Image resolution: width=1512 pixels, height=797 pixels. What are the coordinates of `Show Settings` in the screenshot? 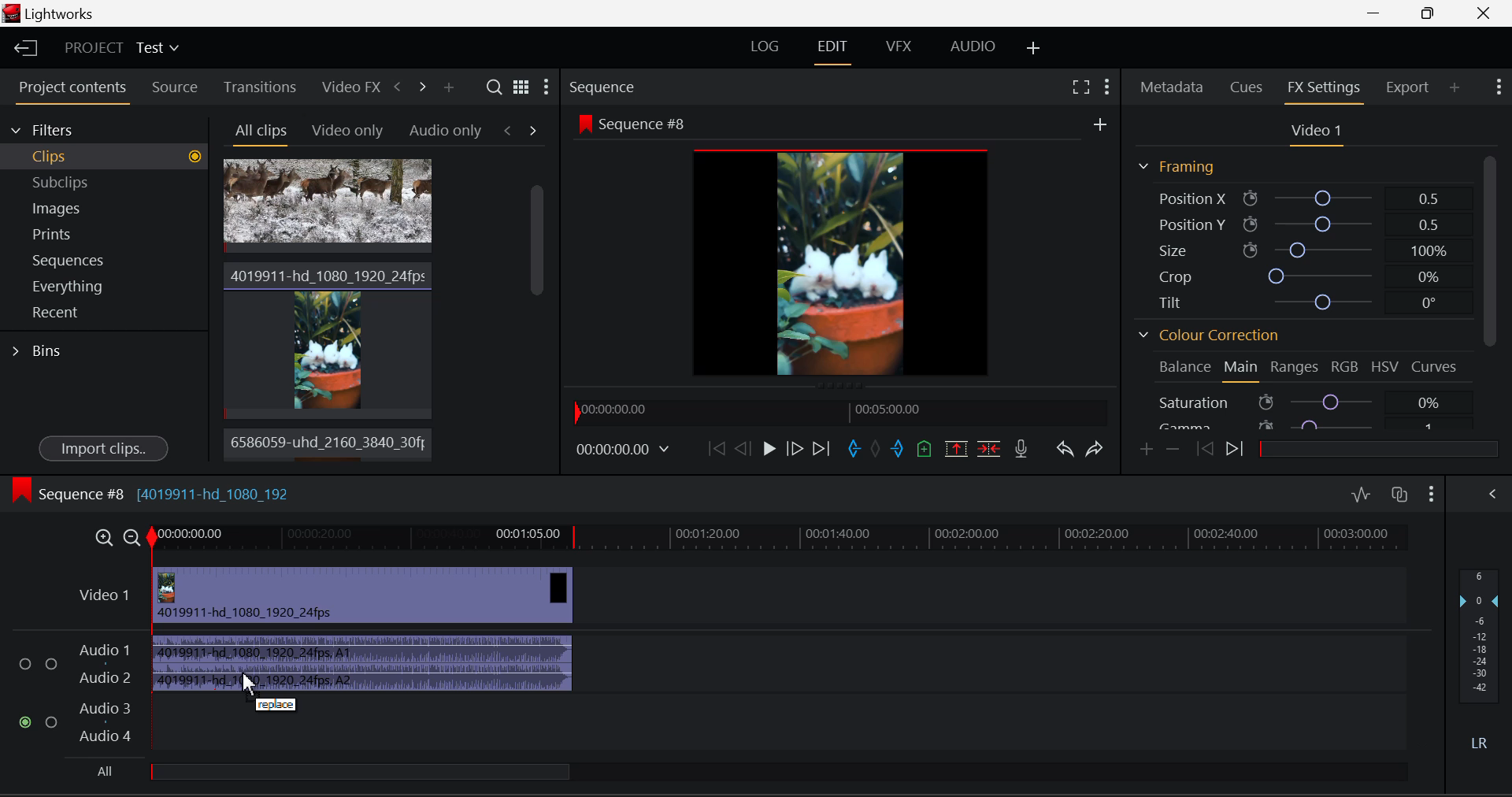 It's located at (548, 85).